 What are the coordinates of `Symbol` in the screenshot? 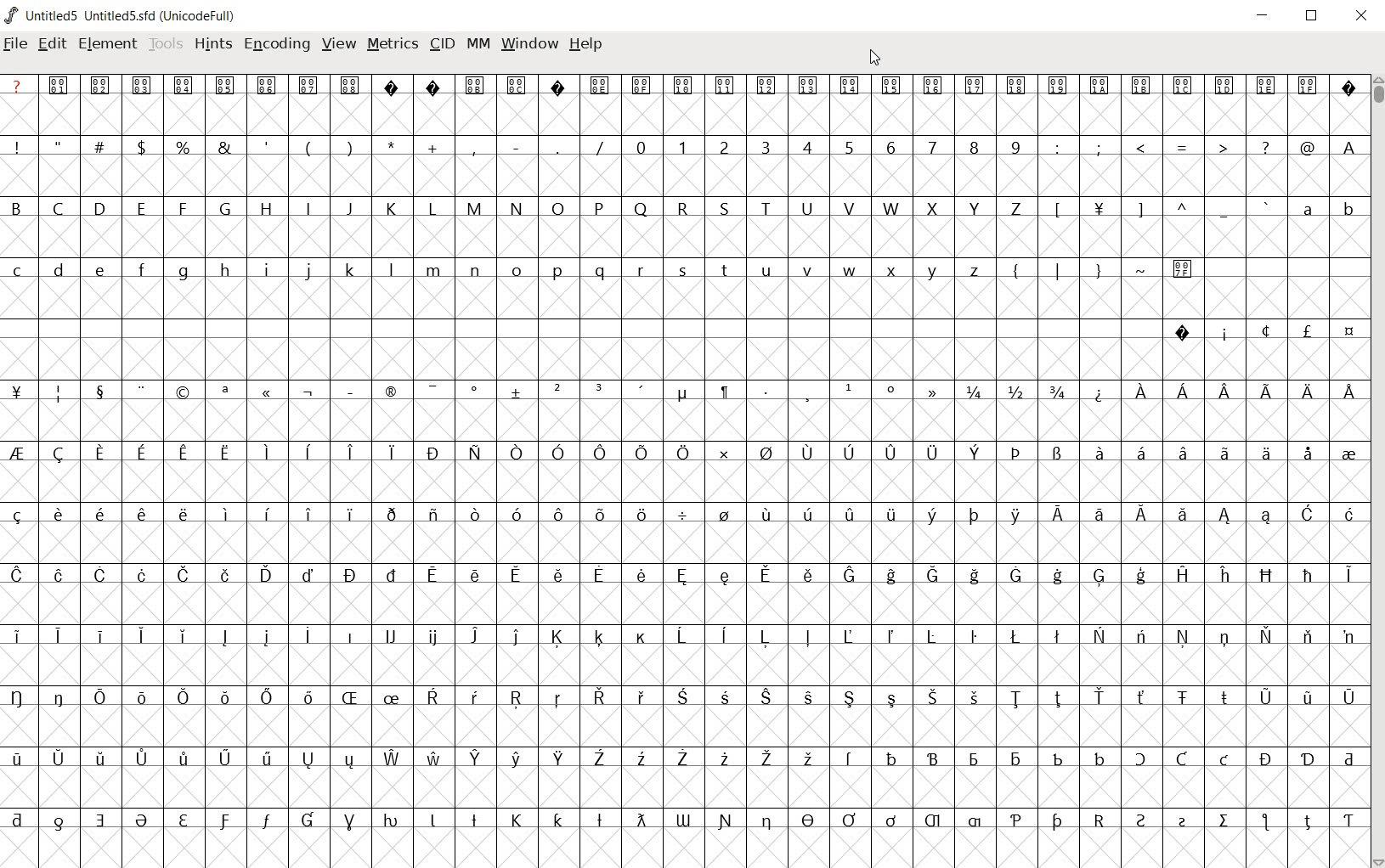 It's located at (1308, 819).